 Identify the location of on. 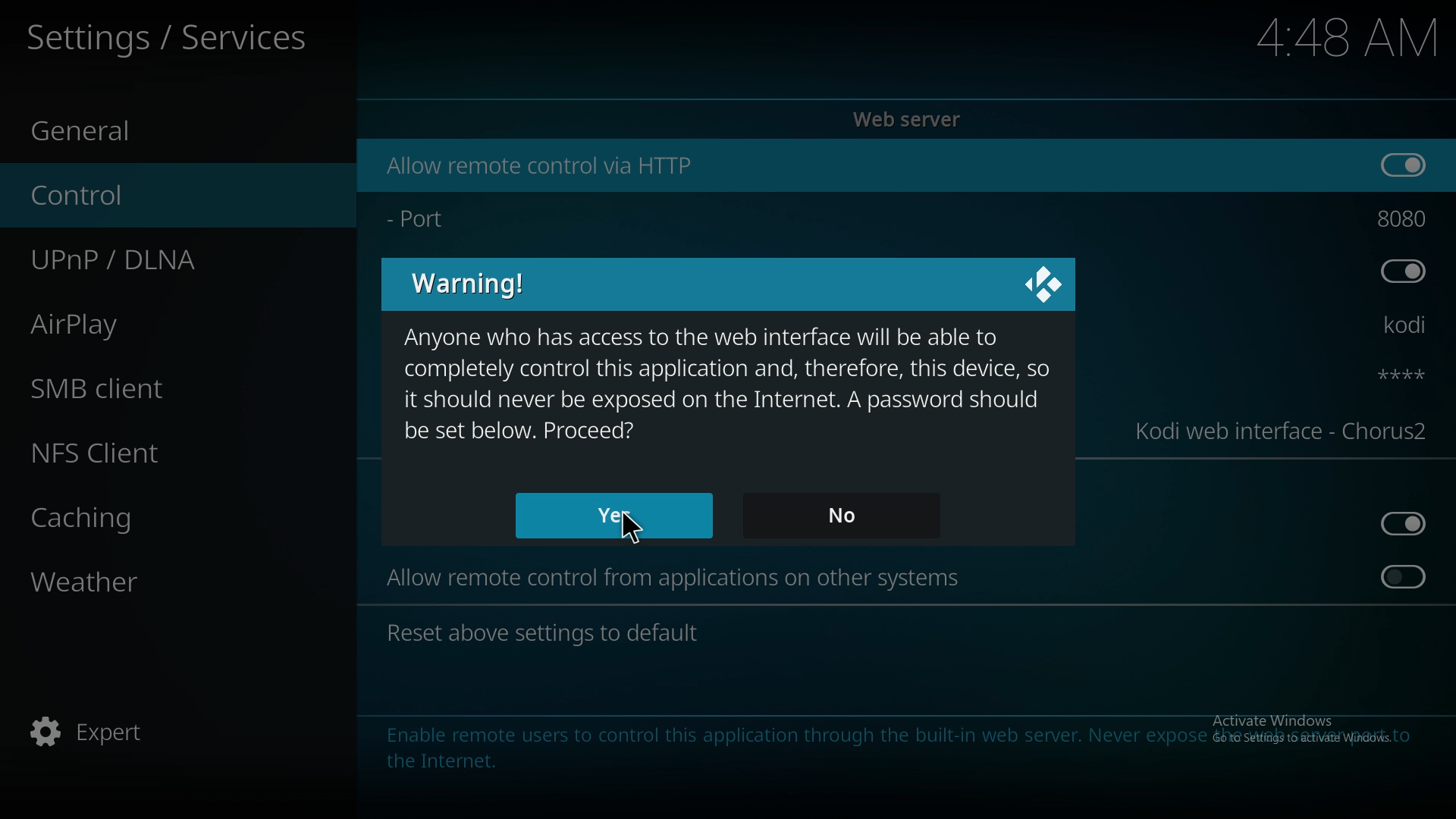
(1406, 167).